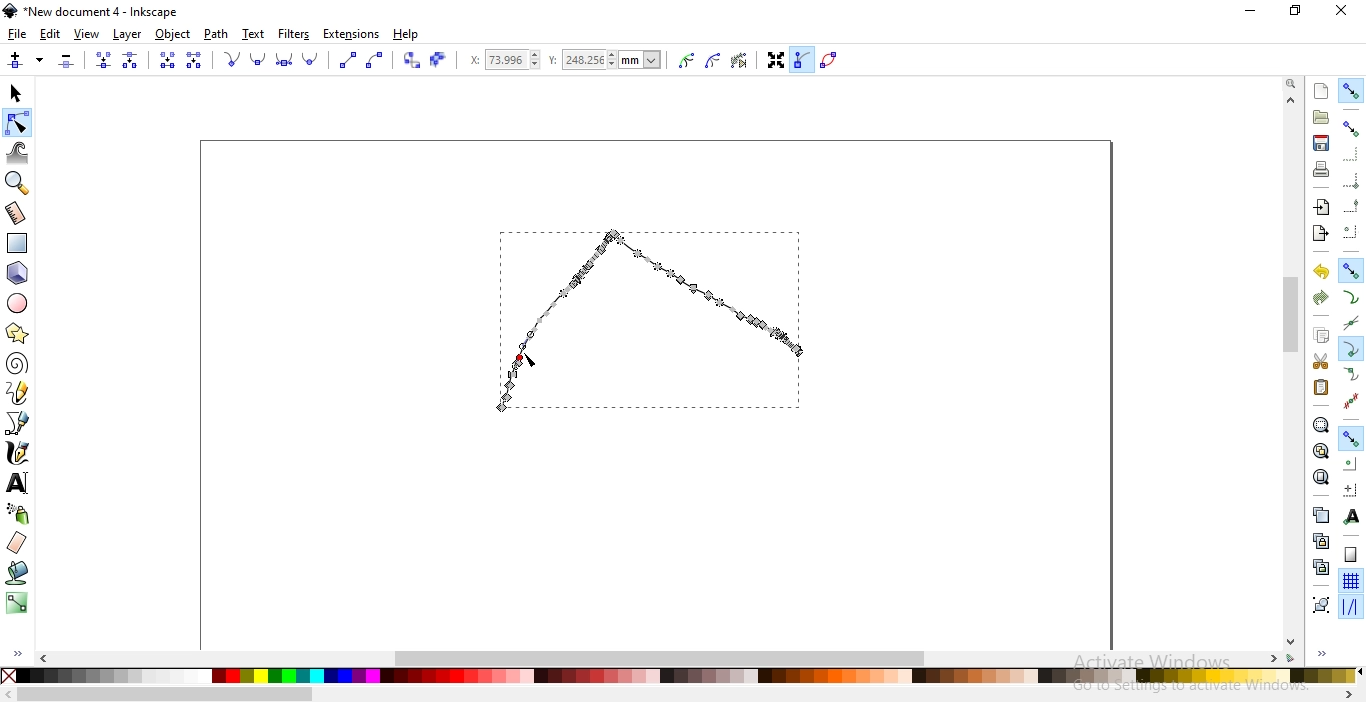 Image resolution: width=1366 pixels, height=702 pixels. What do you see at coordinates (1322, 207) in the screenshot?
I see `import a bitmap` at bounding box center [1322, 207].